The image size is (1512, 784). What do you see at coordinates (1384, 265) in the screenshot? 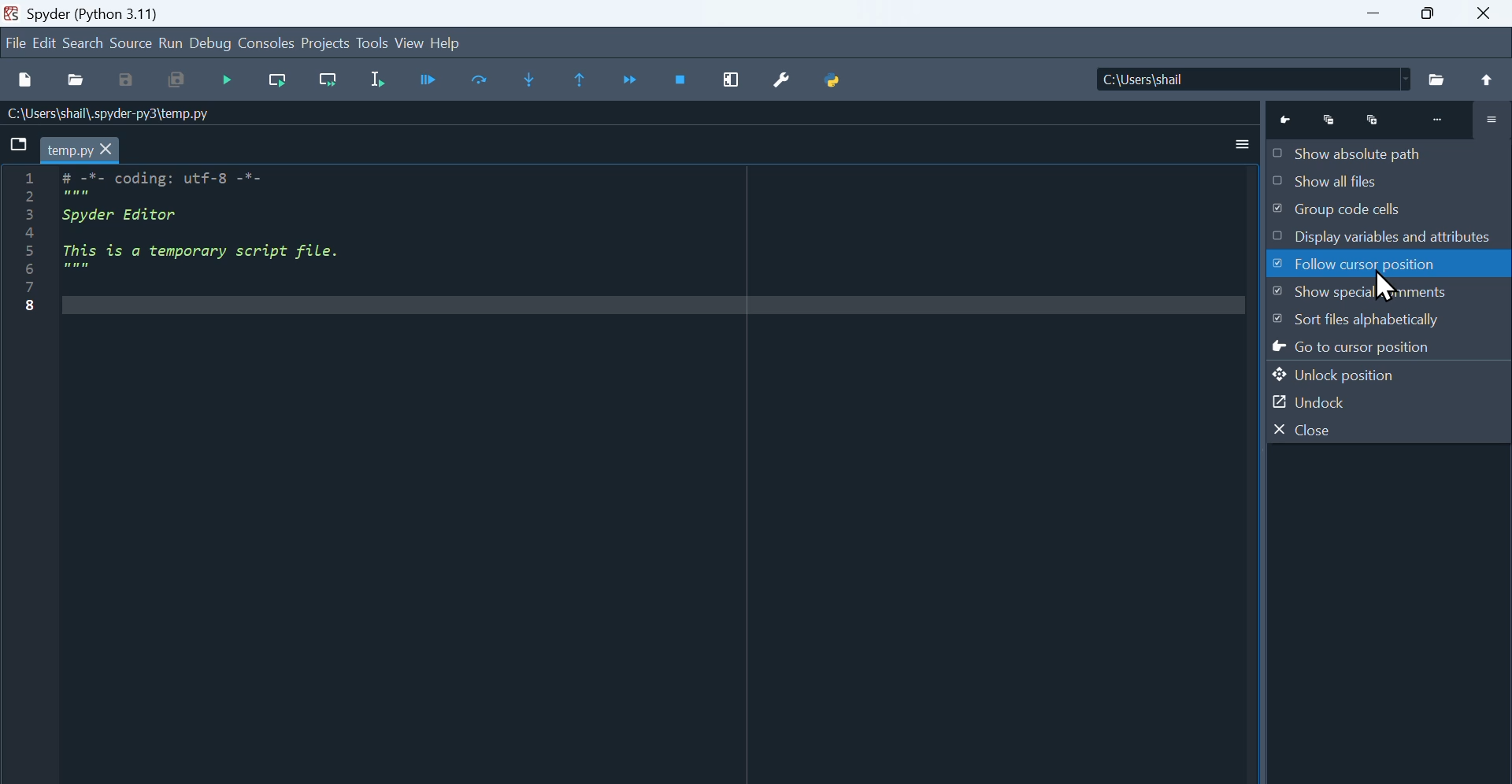
I see `Follow cursor position` at bounding box center [1384, 265].